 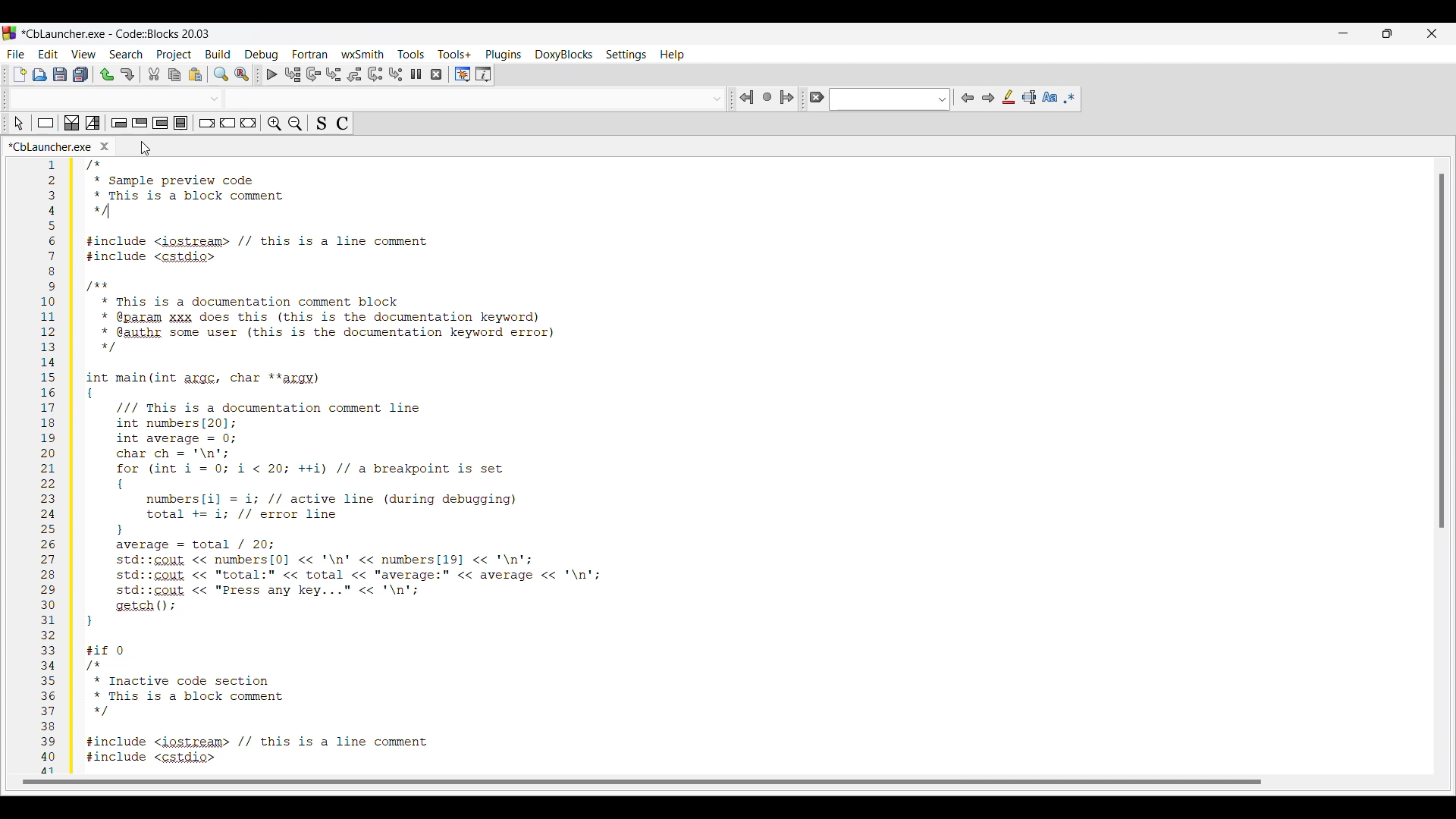 I want to click on Previous, so click(x=968, y=98).